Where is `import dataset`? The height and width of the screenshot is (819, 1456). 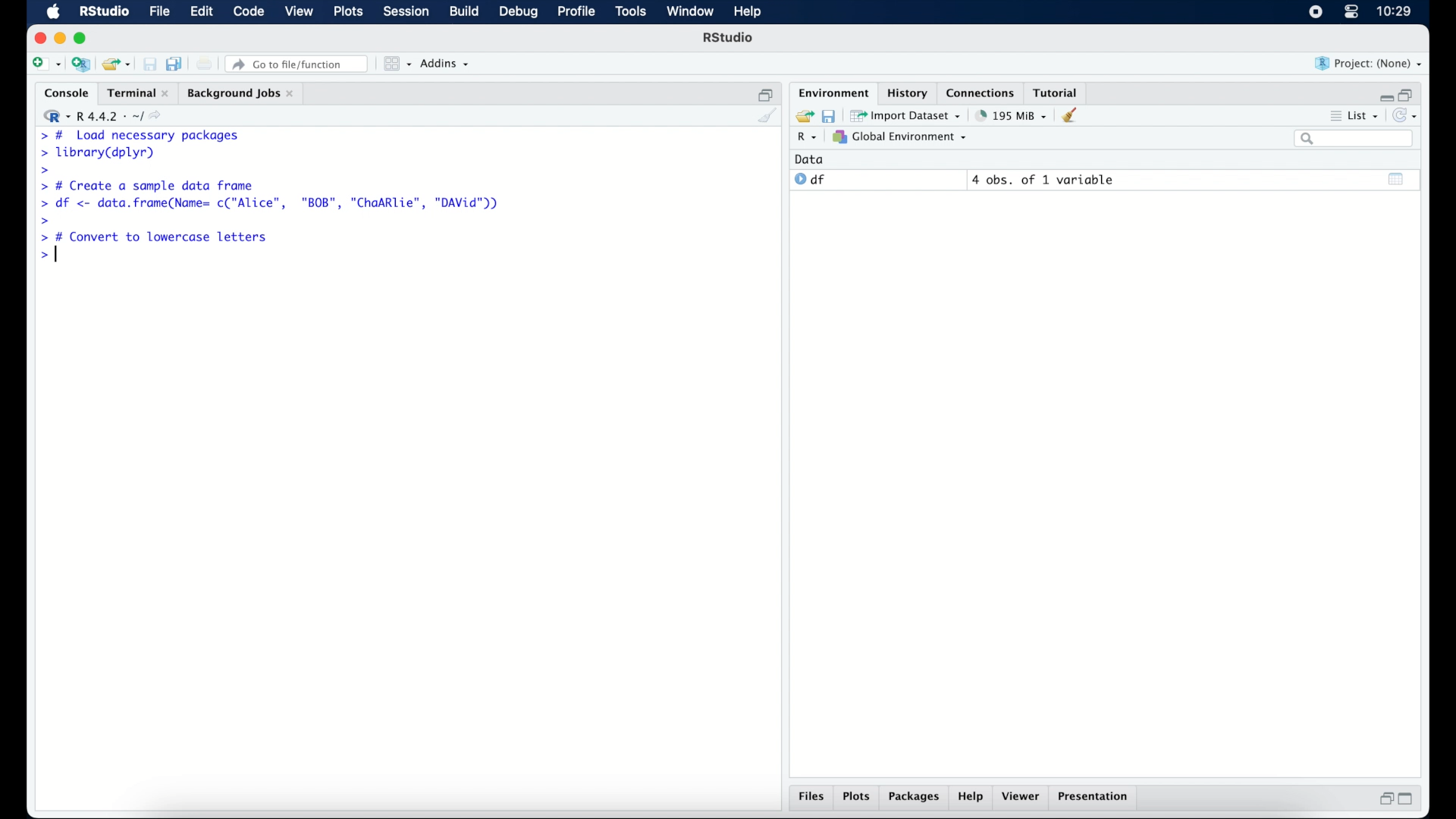
import dataset is located at coordinates (907, 115).